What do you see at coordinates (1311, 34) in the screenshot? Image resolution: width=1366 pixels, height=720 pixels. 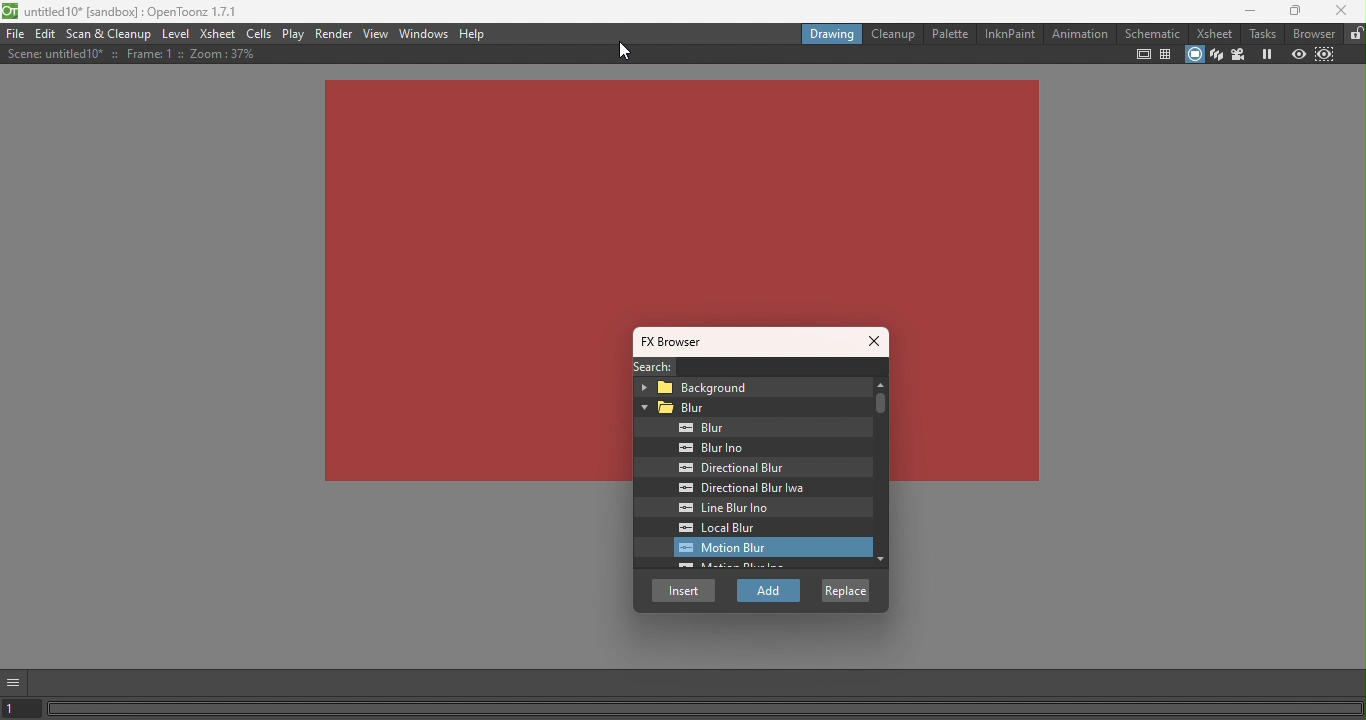 I see `Browser` at bounding box center [1311, 34].